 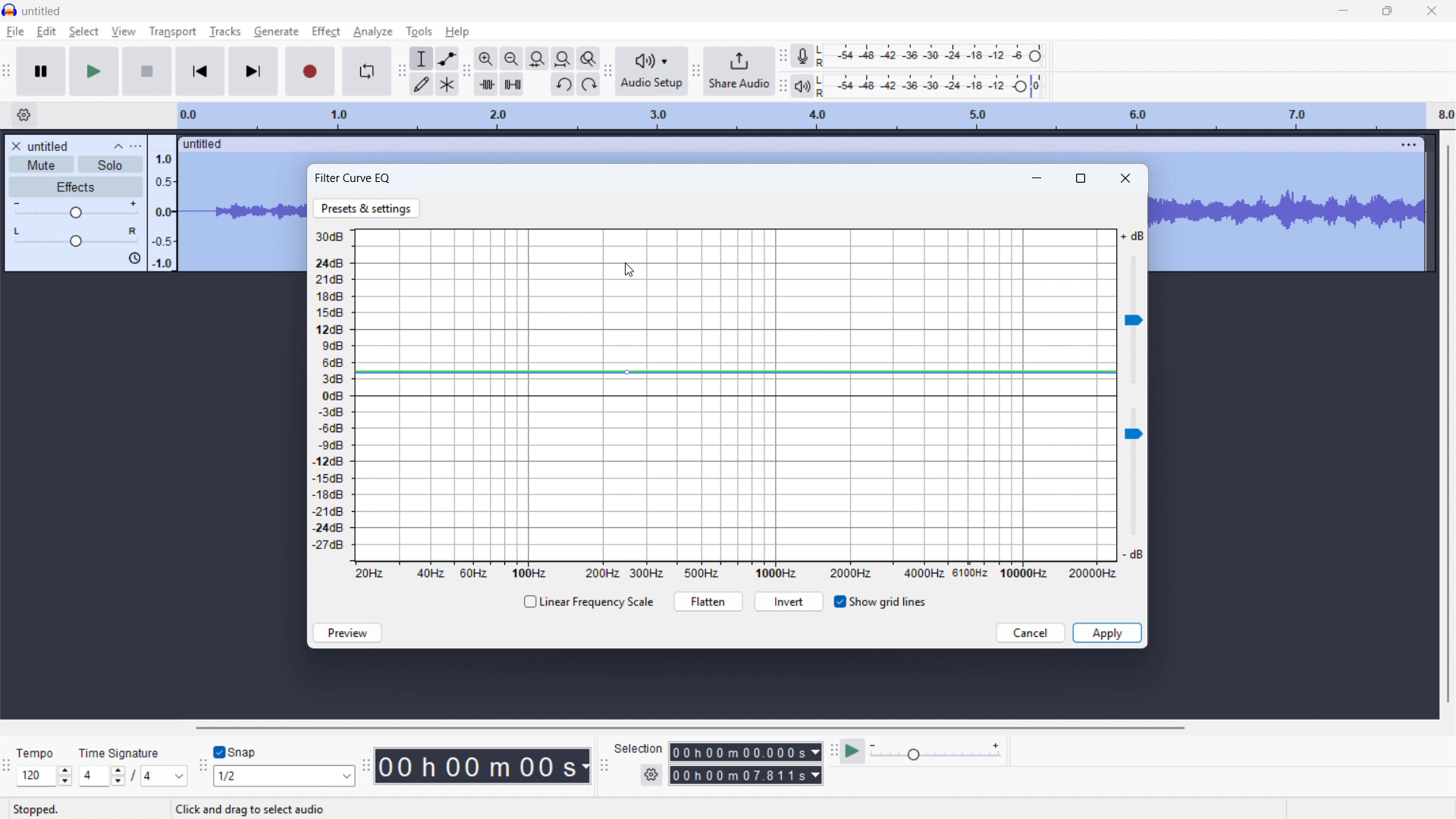 What do you see at coordinates (588, 602) in the screenshot?
I see `Linear frequency scale ` at bounding box center [588, 602].